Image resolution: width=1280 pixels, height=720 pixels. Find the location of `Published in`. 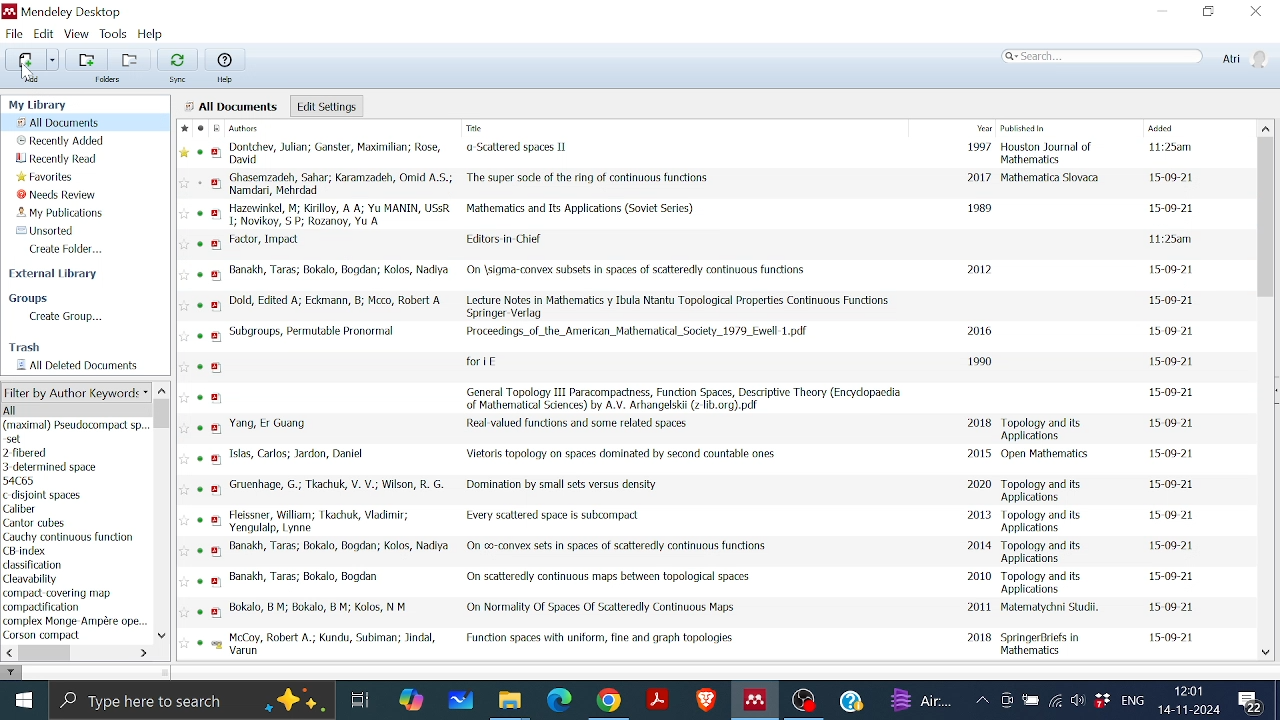

Published in is located at coordinates (1044, 153).